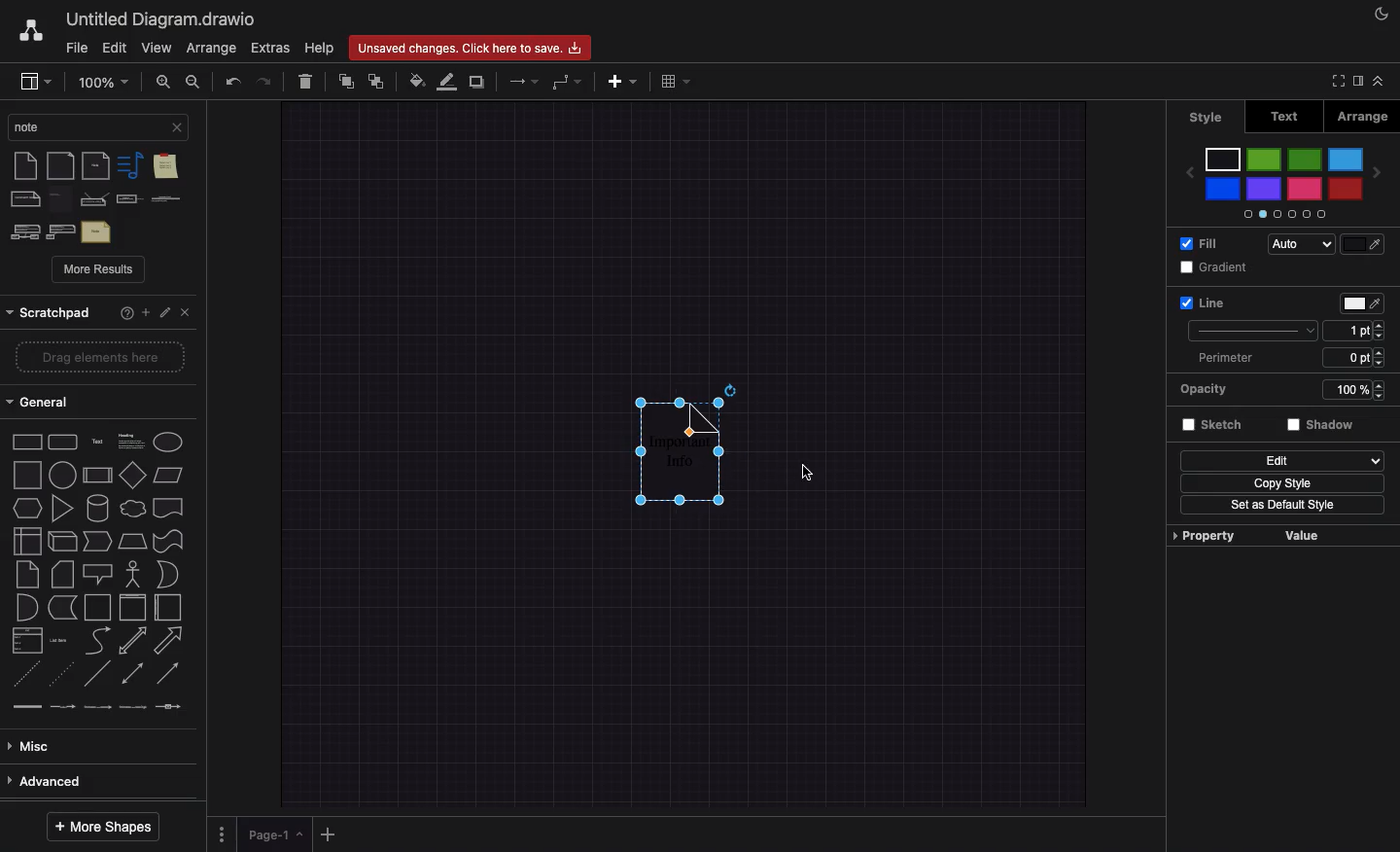 This screenshot has width=1400, height=852. I want to click on callout, so click(96, 573).